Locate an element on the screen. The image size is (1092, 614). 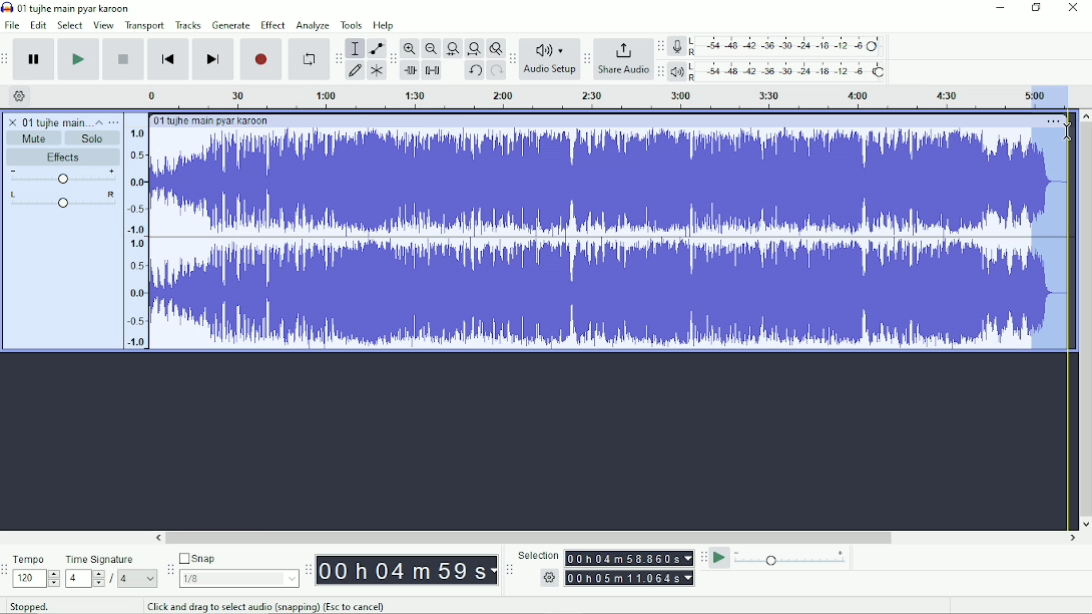
Effect is located at coordinates (274, 25).